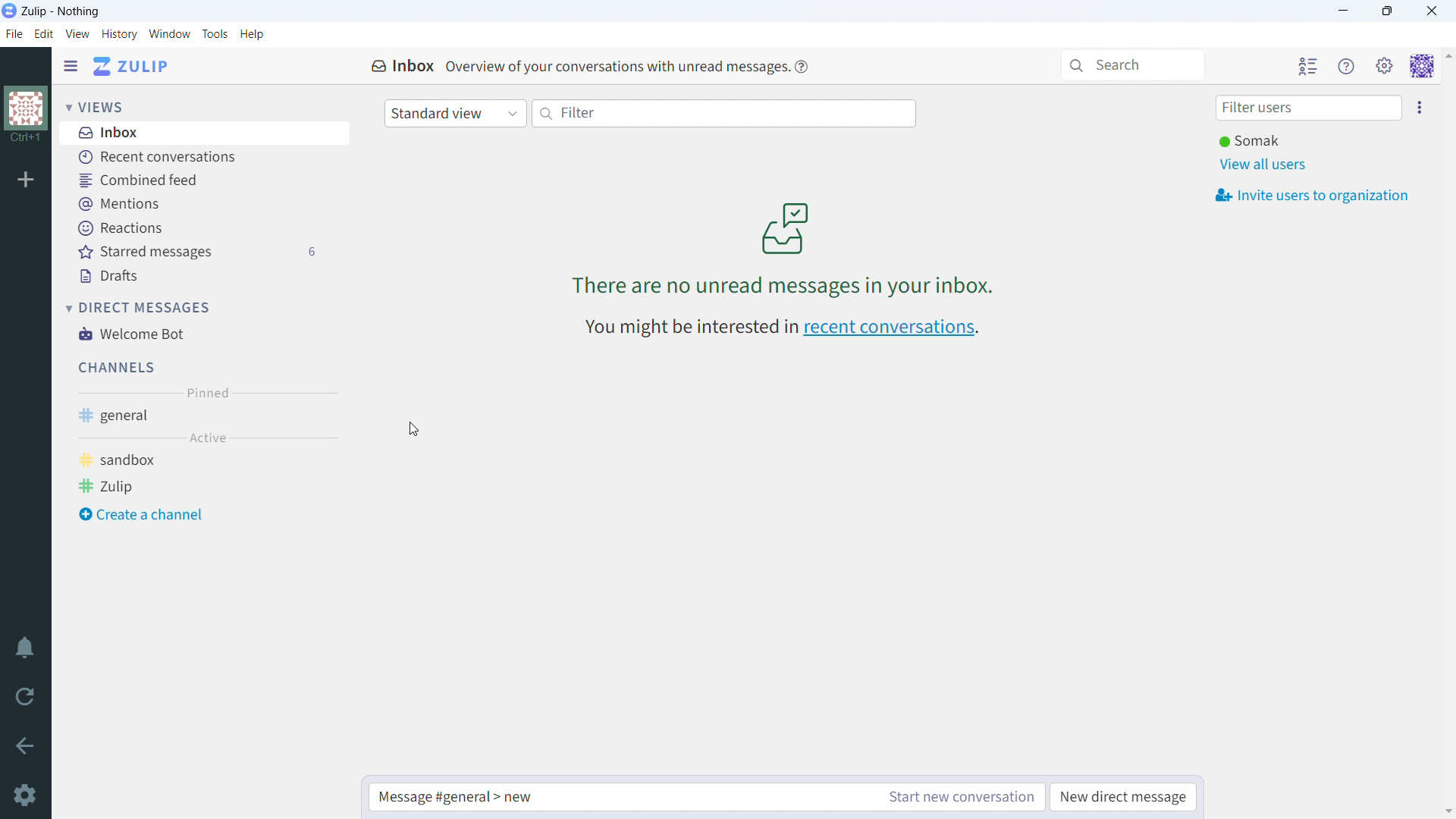 The width and height of the screenshot is (1456, 819). I want to click on invite users, so click(1419, 108).